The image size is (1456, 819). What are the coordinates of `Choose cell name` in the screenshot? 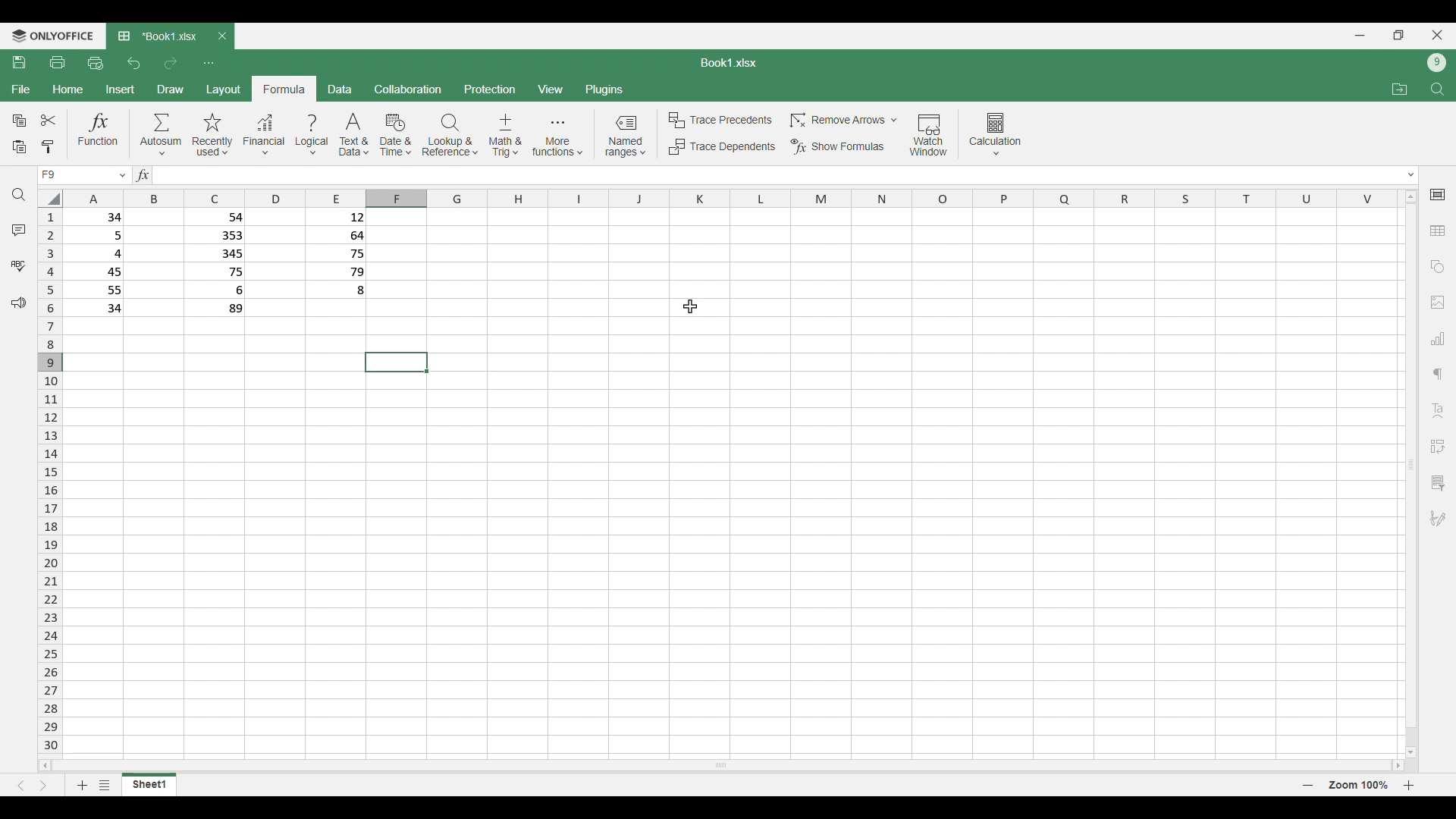 It's located at (83, 175).